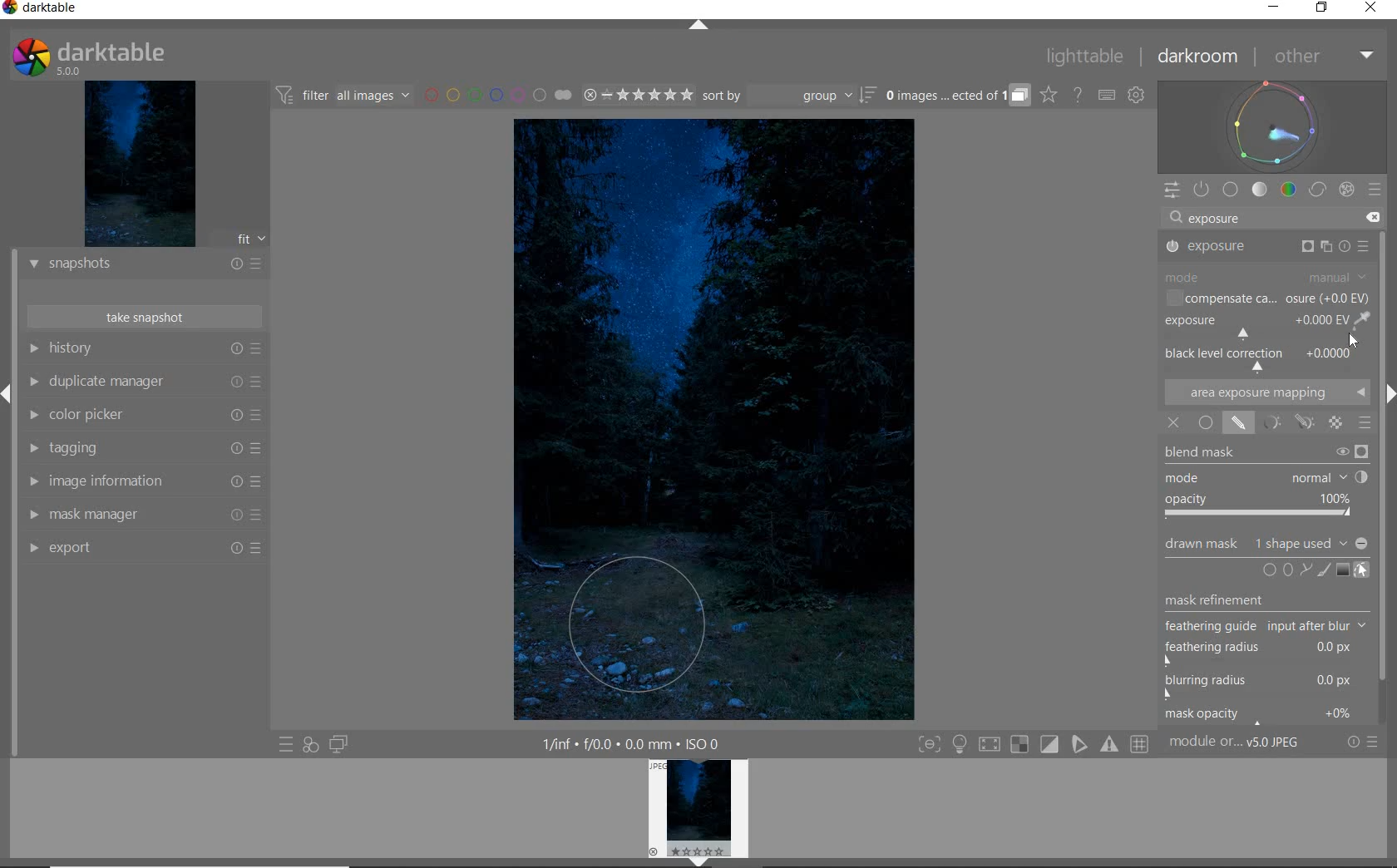 This screenshot has height=868, width=1397. Describe the element at coordinates (1376, 188) in the screenshot. I see `PRESETS` at that location.